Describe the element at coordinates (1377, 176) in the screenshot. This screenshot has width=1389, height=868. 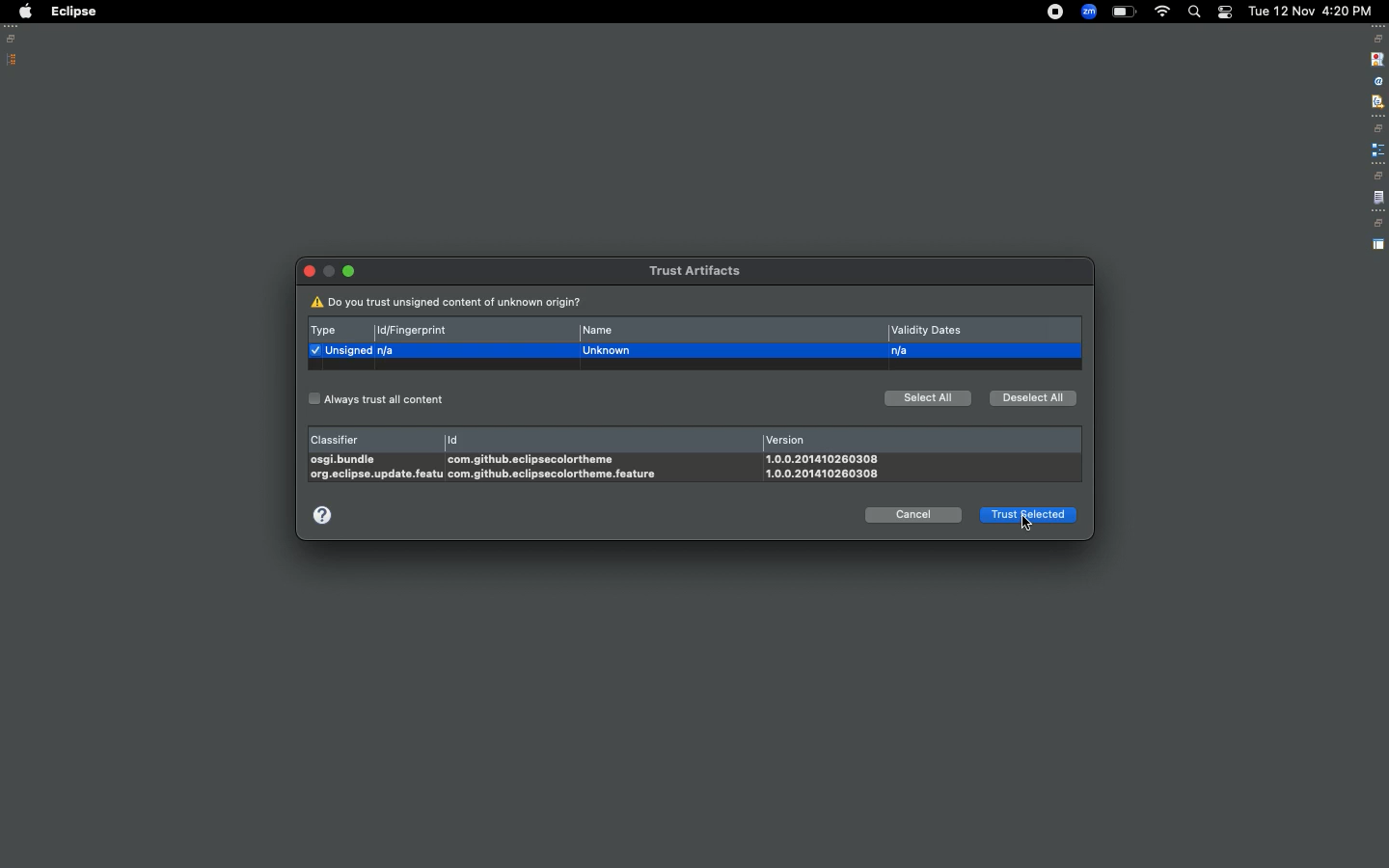
I see `restore` at that location.